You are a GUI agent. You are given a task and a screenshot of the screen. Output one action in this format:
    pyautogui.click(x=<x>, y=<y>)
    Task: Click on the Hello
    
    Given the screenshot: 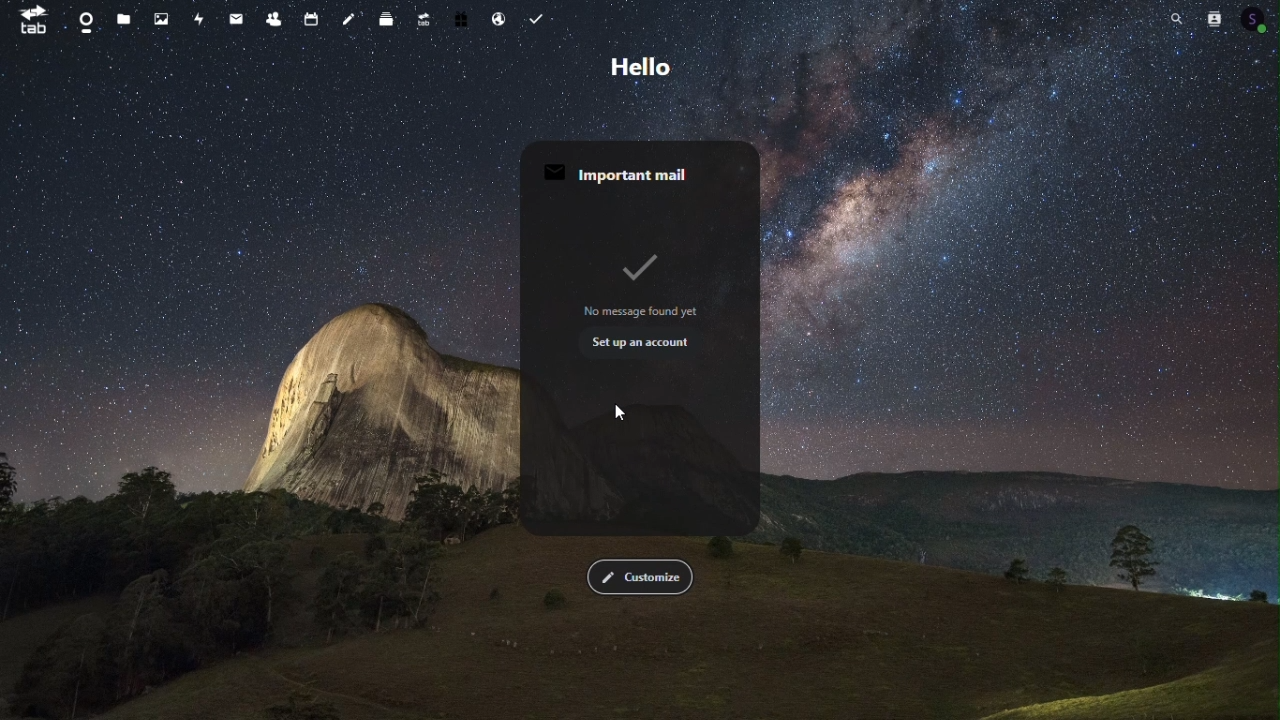 What is the action you would take?
    pyautogui.click(x=640, y=66)
    